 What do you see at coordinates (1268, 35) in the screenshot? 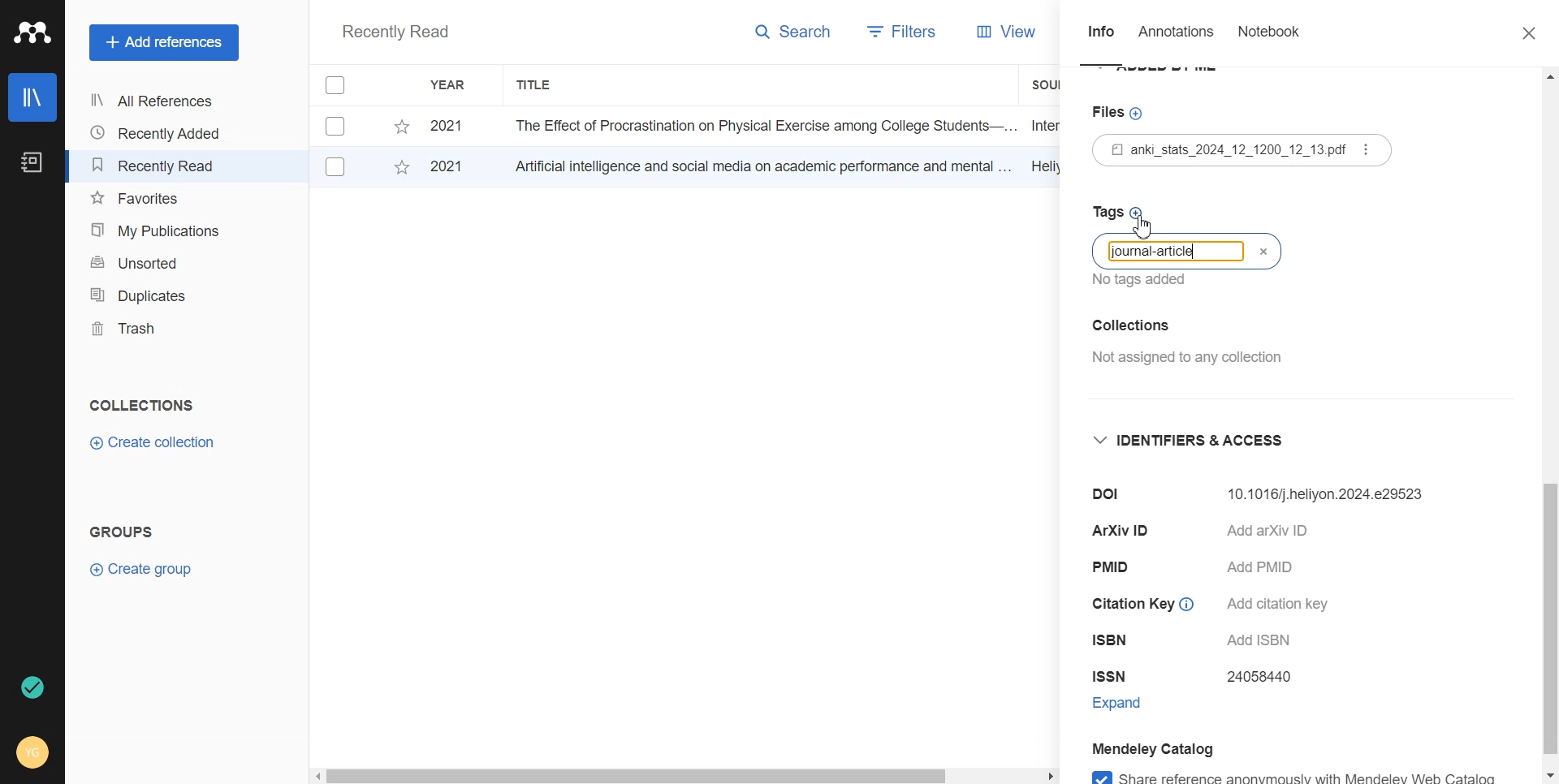
I see `Notebook` at bounding box center [1268, 35].